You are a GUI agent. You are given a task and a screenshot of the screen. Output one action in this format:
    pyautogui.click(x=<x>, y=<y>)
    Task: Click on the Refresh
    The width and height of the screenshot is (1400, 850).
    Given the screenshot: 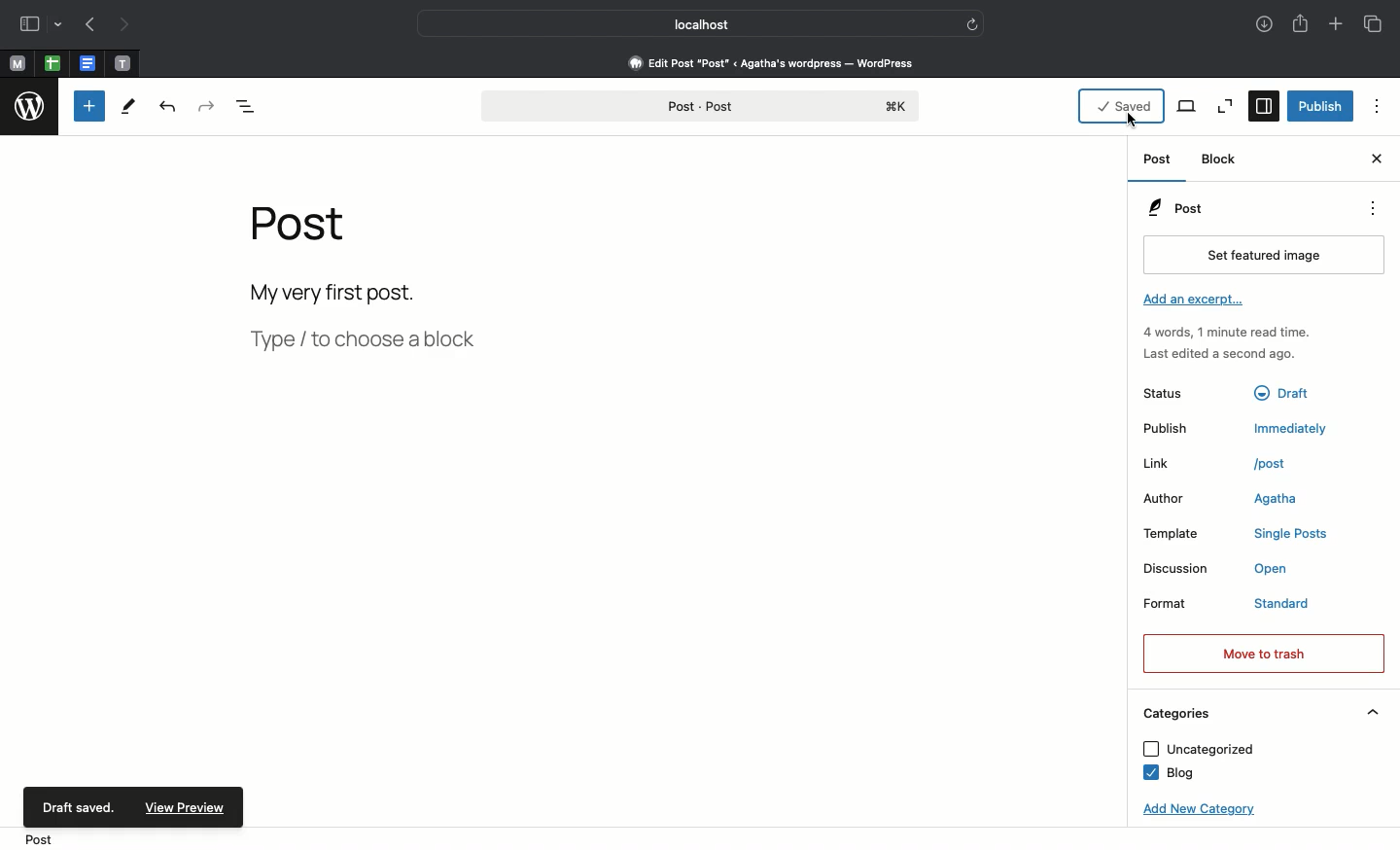 What is the action you would take?
    pyautogui.click(x=972, y=23)
    